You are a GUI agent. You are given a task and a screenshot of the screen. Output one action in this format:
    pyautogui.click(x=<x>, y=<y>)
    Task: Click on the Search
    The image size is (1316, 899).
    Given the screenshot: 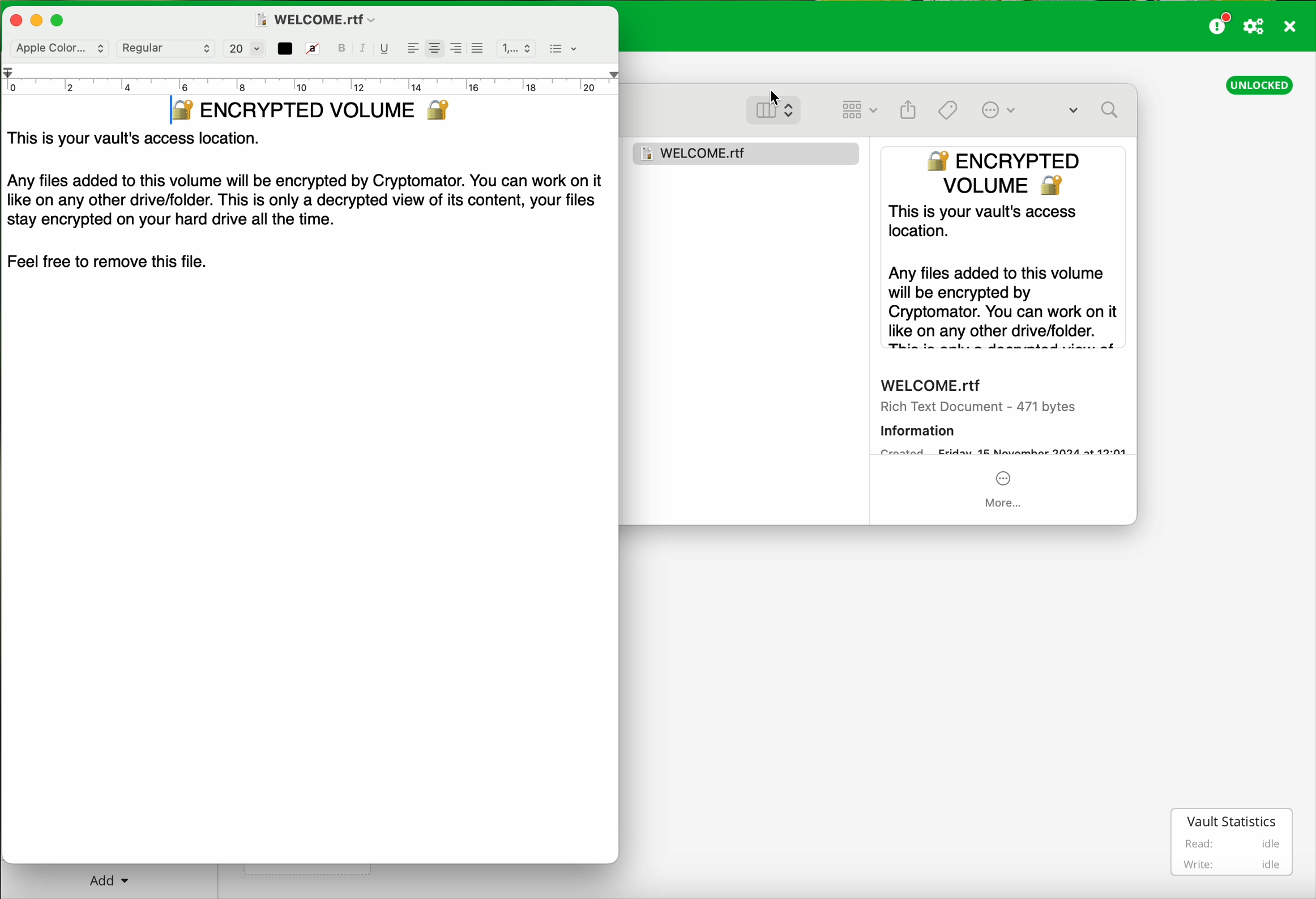 What is the action you would take?
    pyautogui.click(x=1096, y=112)
    